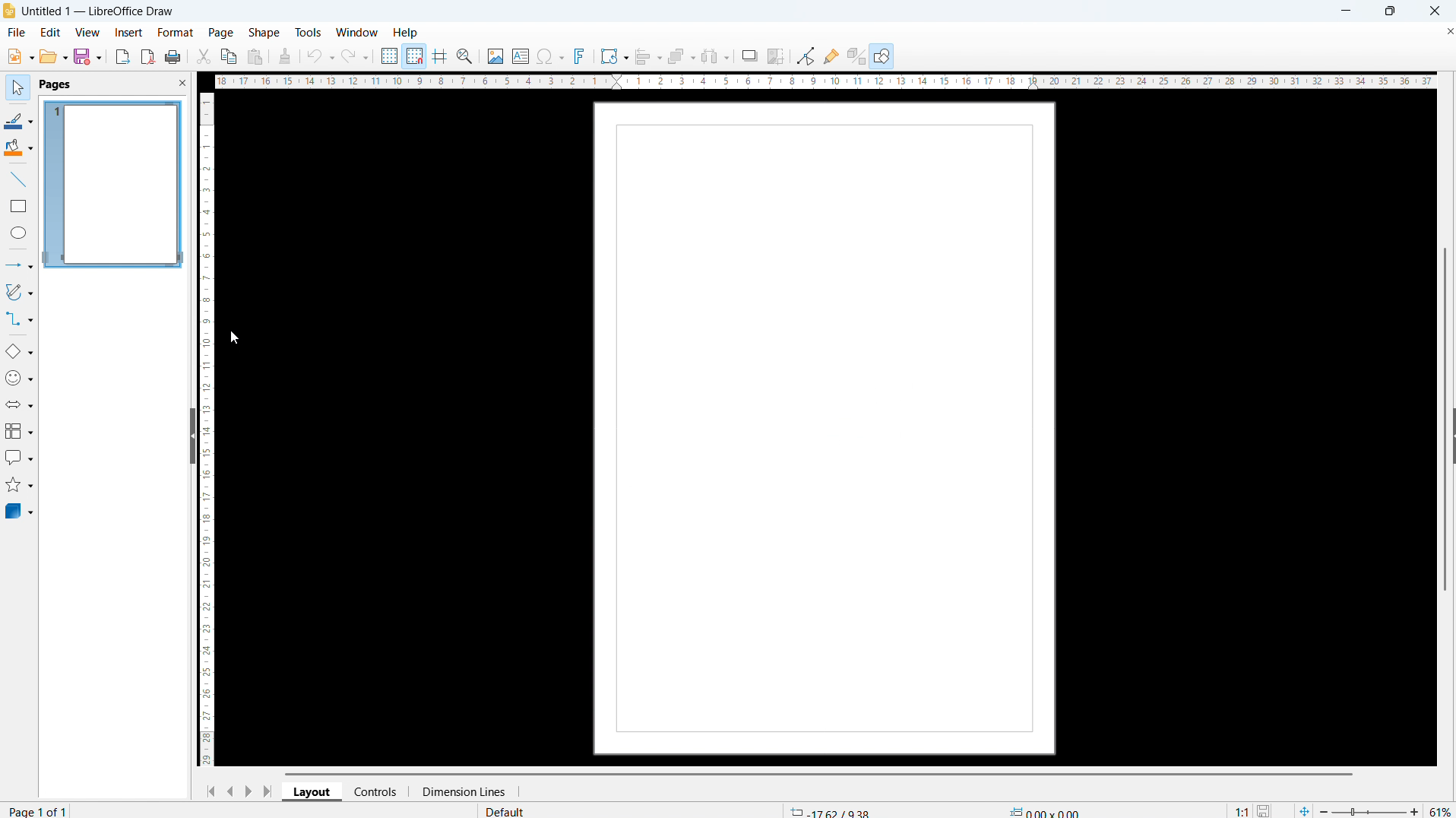 This screenshot has width=1456, height=818. Describe the element at coordinates (749, 55) in the screenshot. I see `shadow` at that location.